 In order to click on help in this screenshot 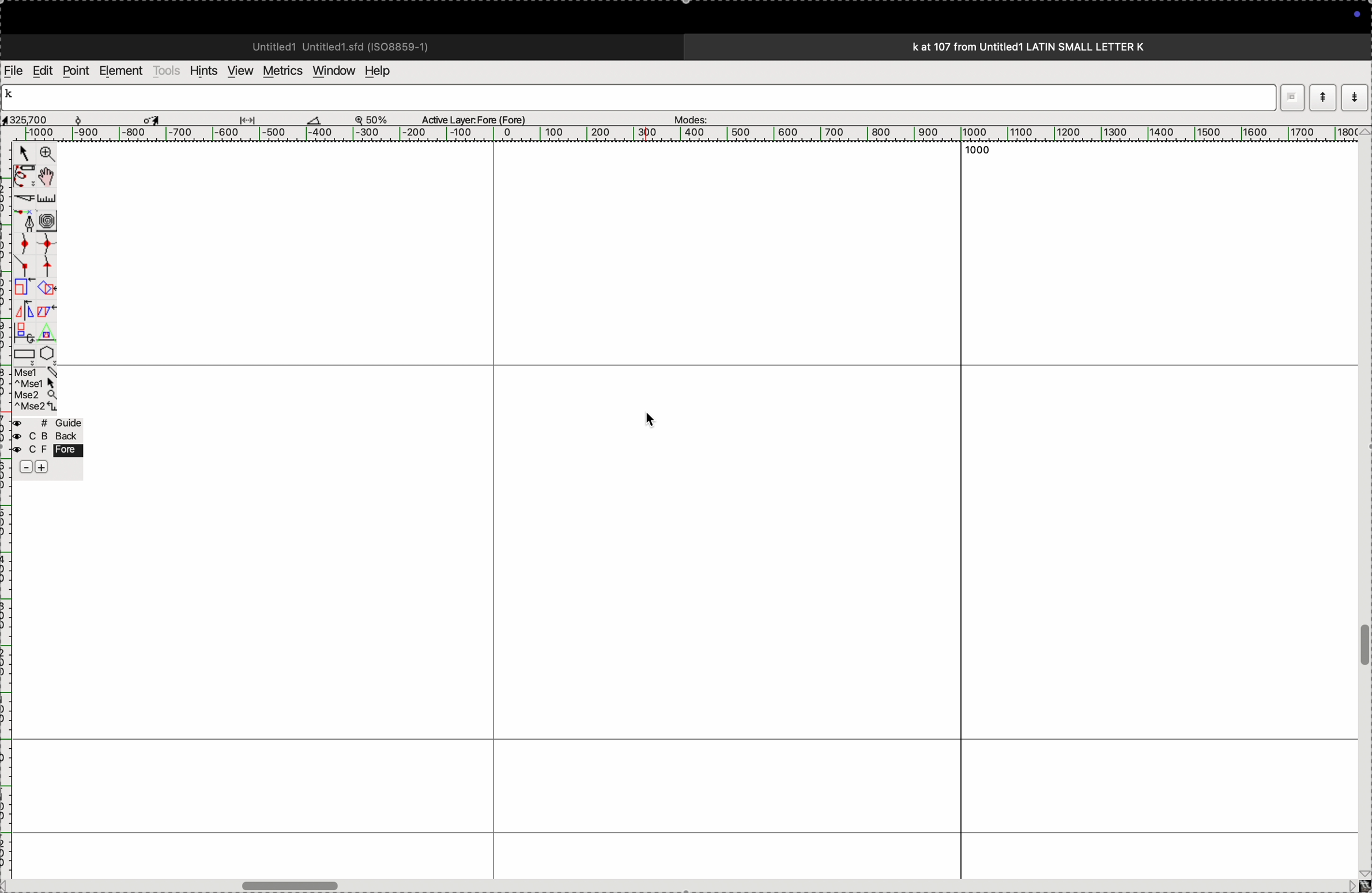, I will do `click(385, 71)`.